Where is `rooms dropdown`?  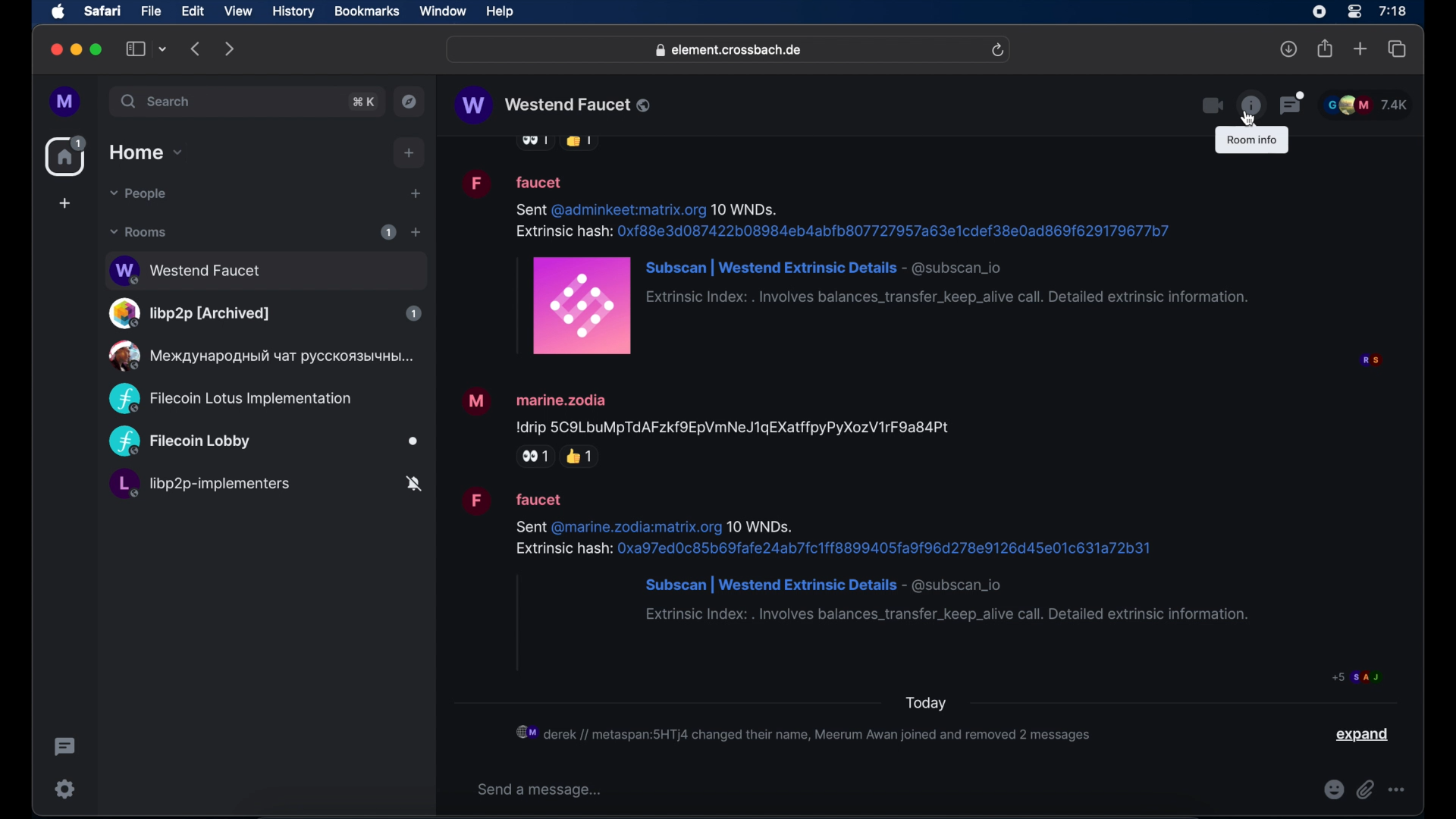
rooms dropdown is located at coordinates (139, 232).